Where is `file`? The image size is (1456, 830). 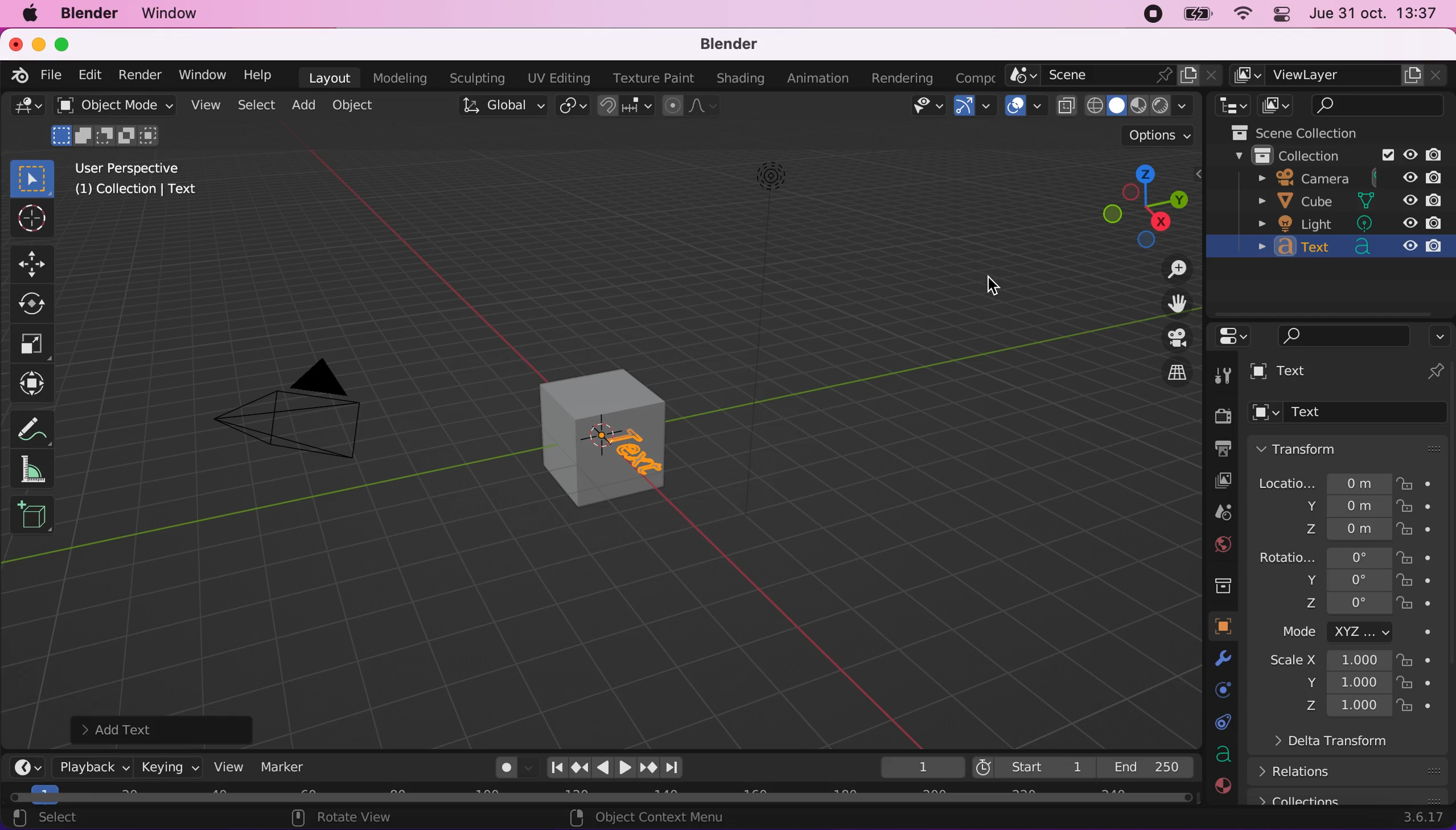 file is located at coordinates (51, 75).